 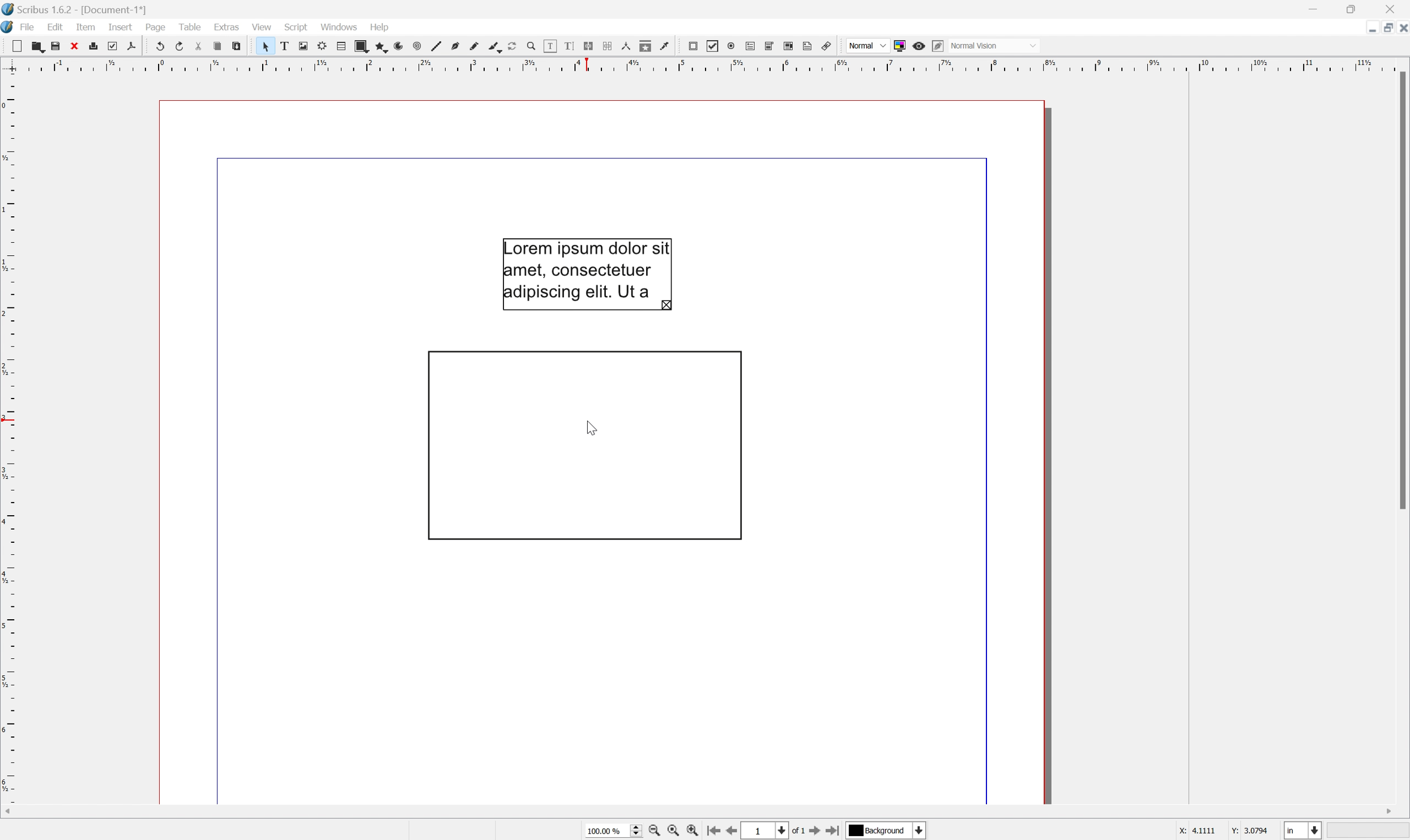 What do you see at coordinates (587, 44) in the screenshot?
I see `Link text frames` at bounding box center [587, 44].